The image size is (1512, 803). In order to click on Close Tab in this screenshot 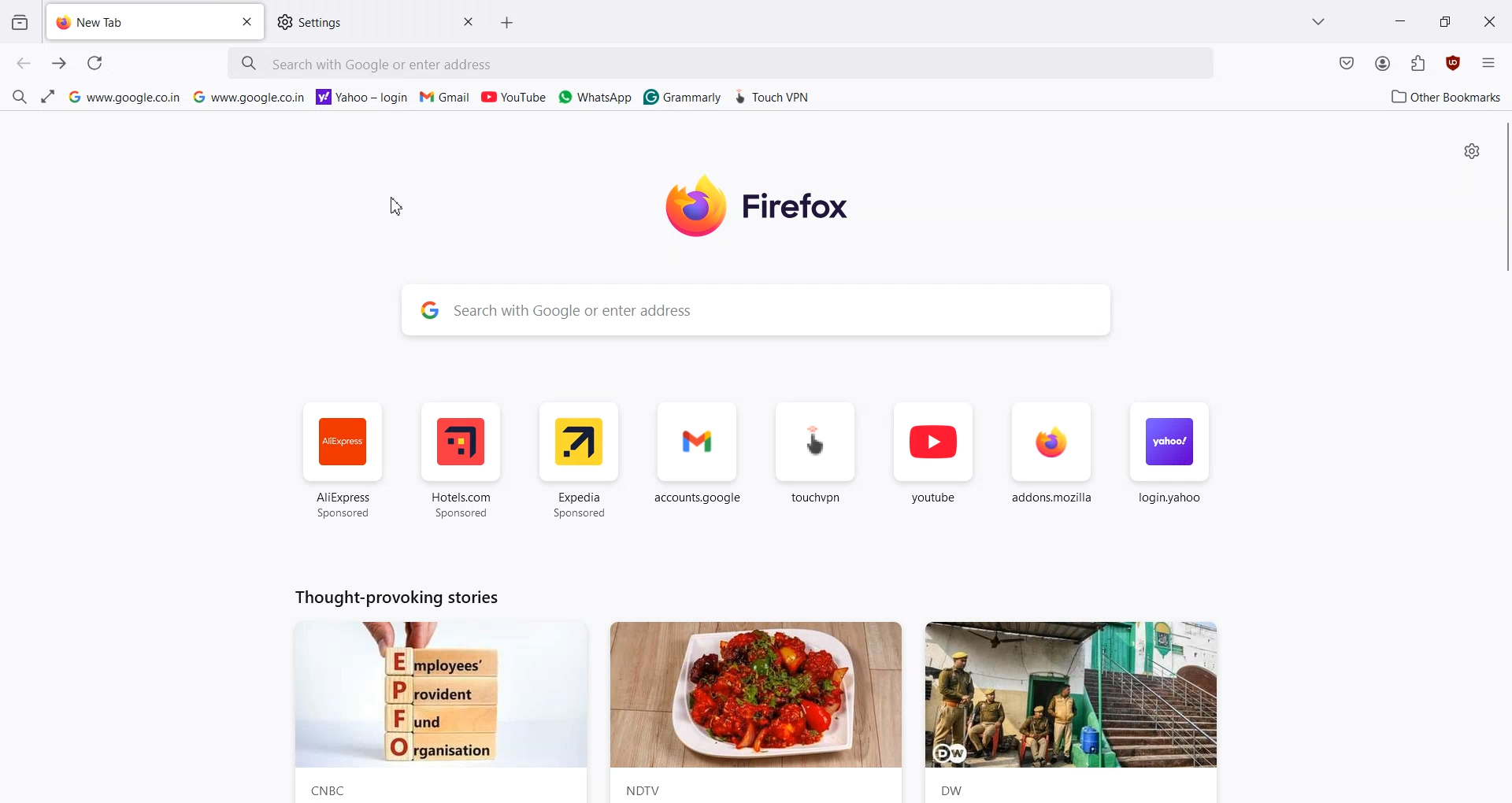, I will do `click(249, 22)`.